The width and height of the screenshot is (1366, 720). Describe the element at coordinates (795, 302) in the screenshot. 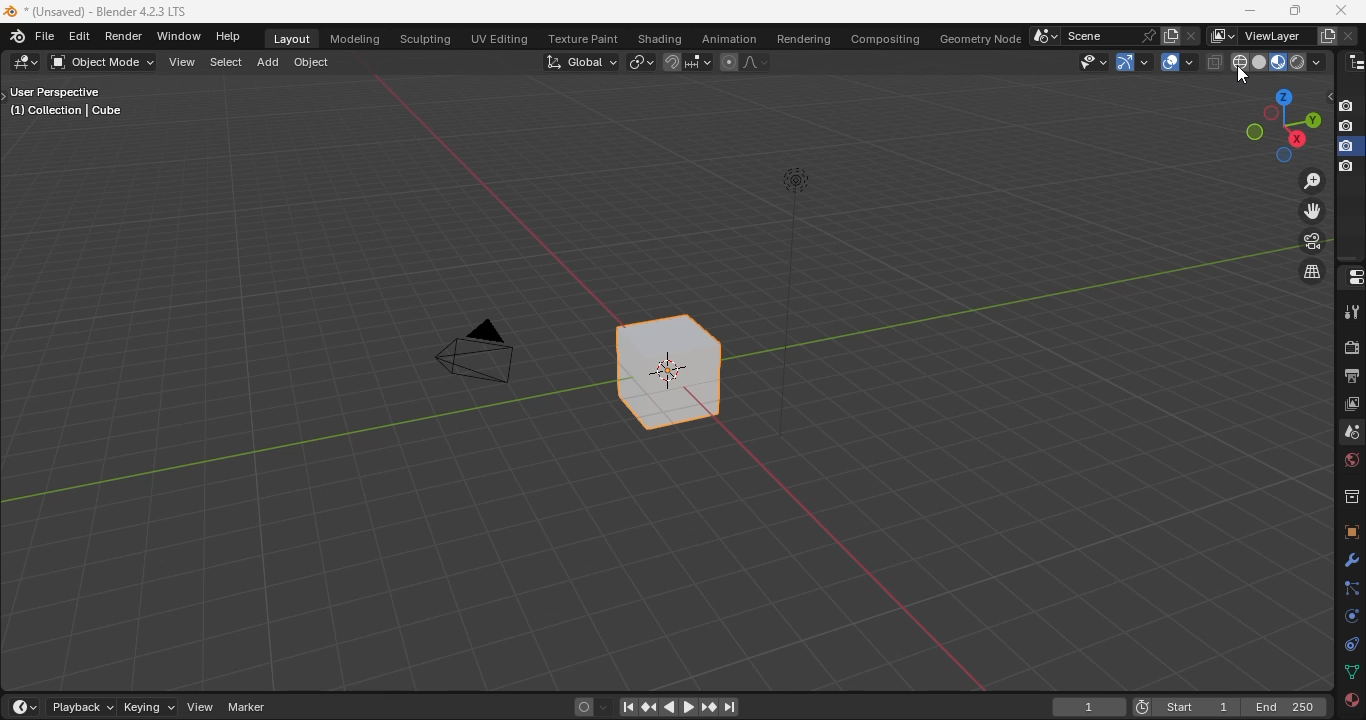

I see `light object` at that location.